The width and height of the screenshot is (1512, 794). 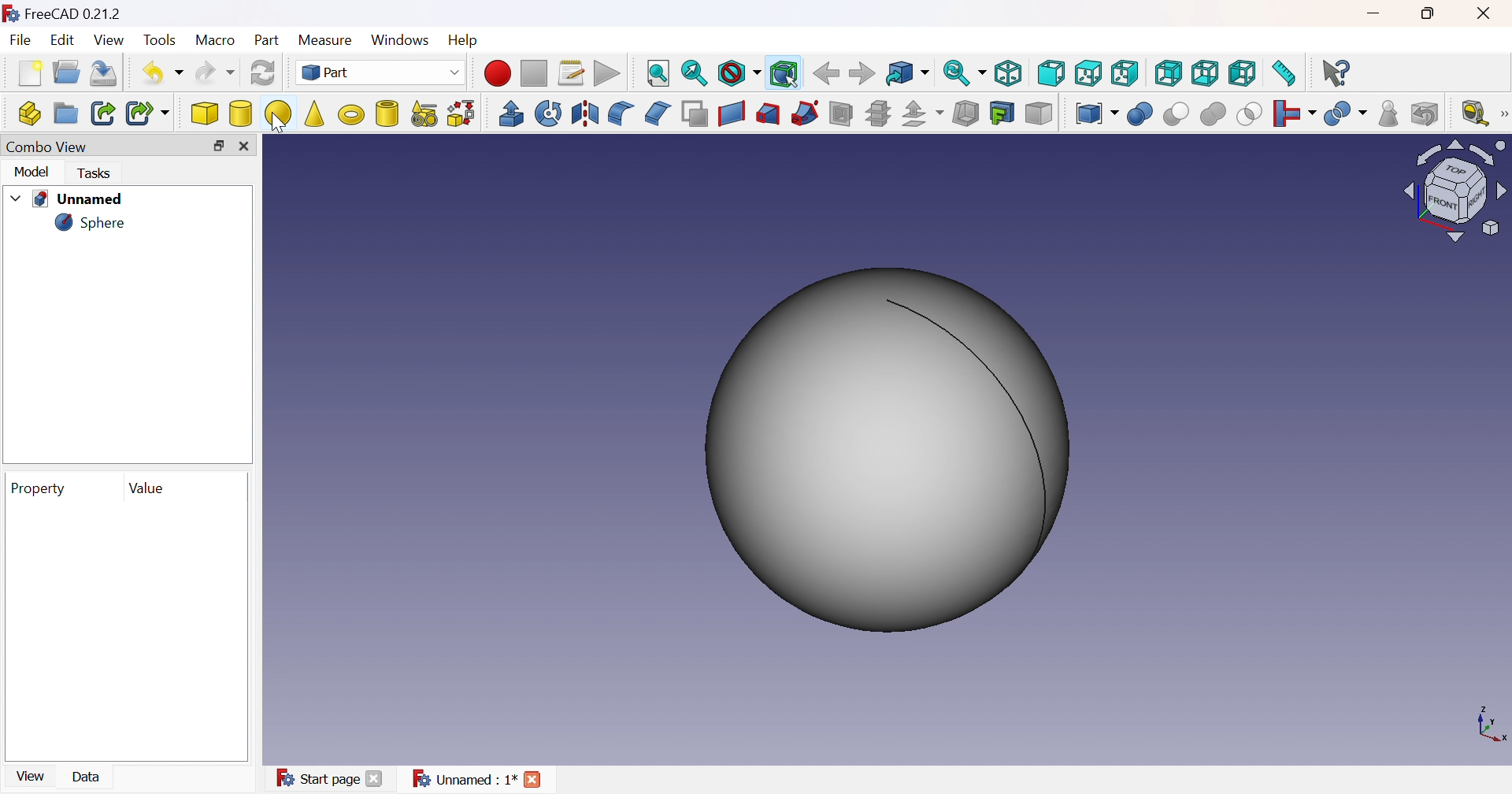 What do you see at coordinates (1455, 193) in the screenshot?
I see `Viewing angle` at bounding box center [1455, 193].